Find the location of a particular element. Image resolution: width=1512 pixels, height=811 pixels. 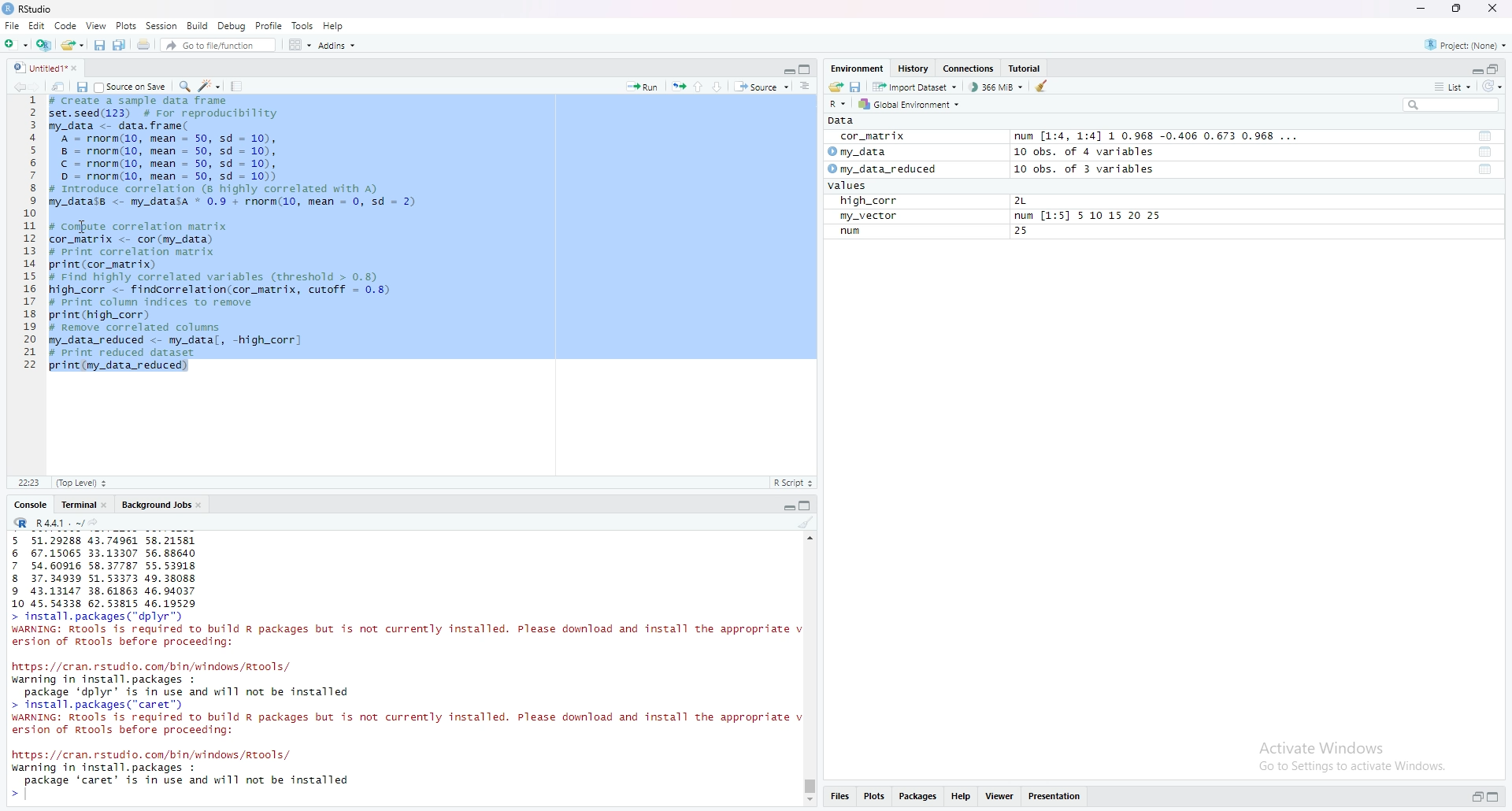

Help is located at coordinates (961, 797).